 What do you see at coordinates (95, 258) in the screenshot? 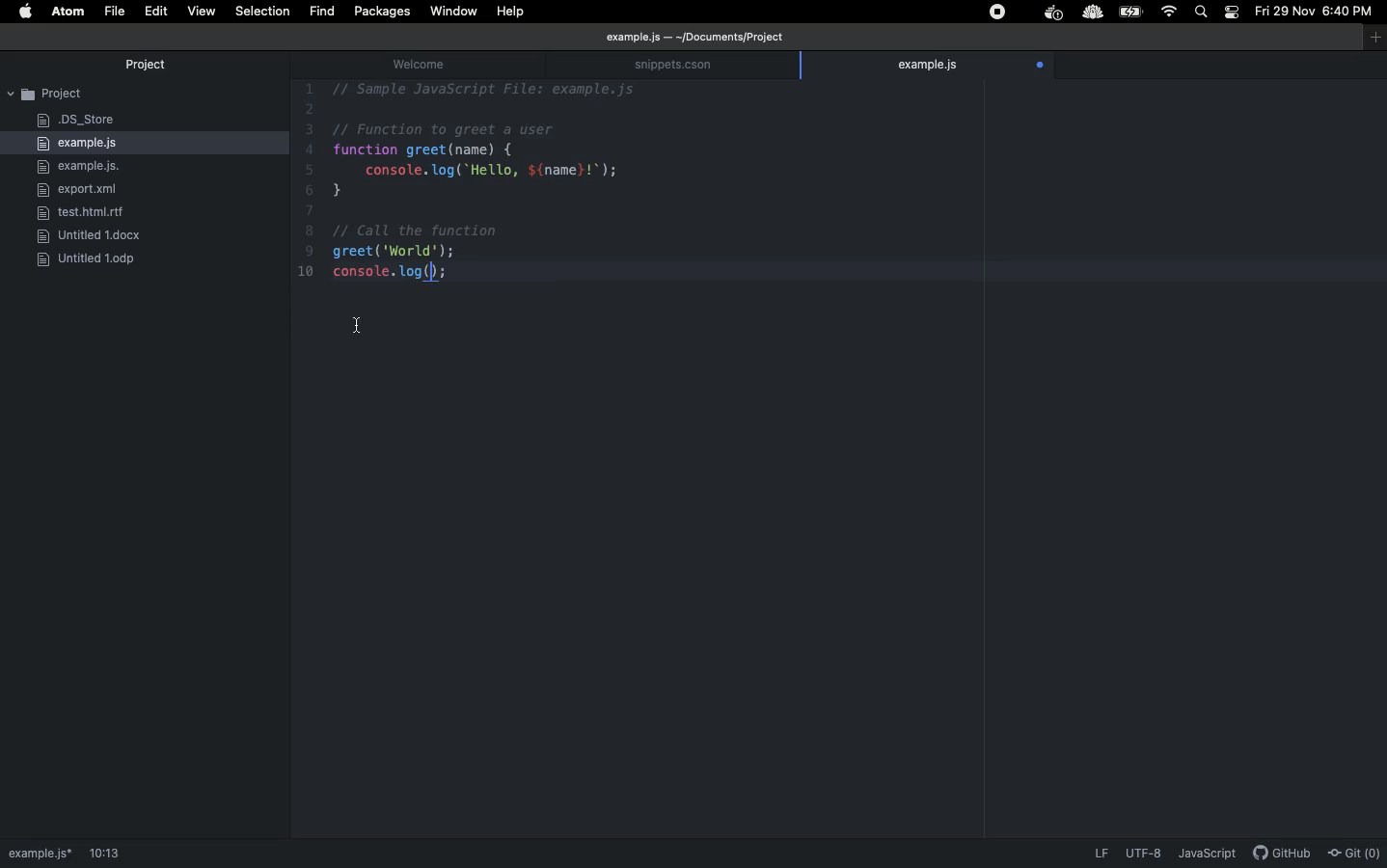
I see `ODP` at bounding box center [95, 258].